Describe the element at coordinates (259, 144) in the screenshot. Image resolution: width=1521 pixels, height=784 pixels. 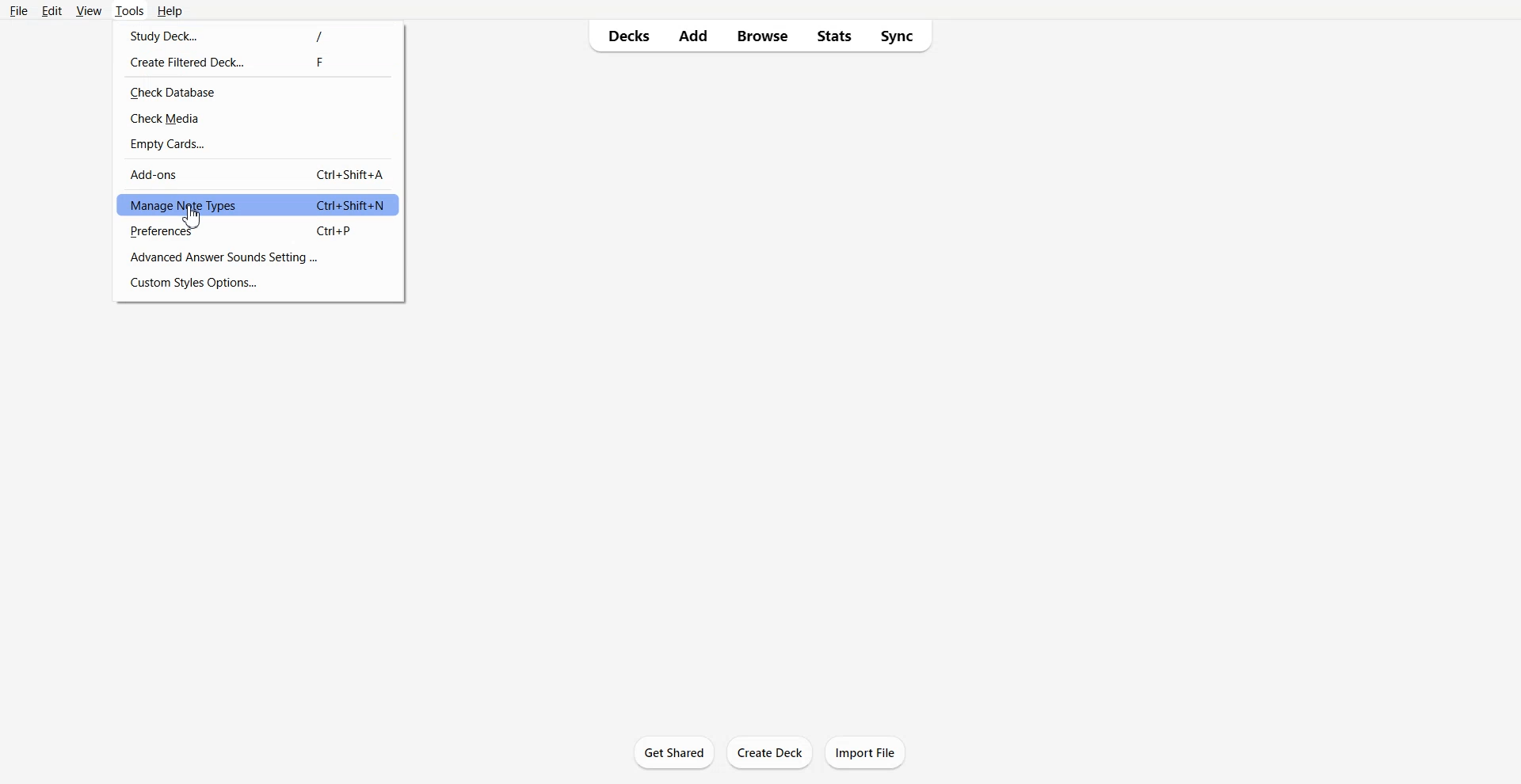
I see `Empty Cards` at that location.